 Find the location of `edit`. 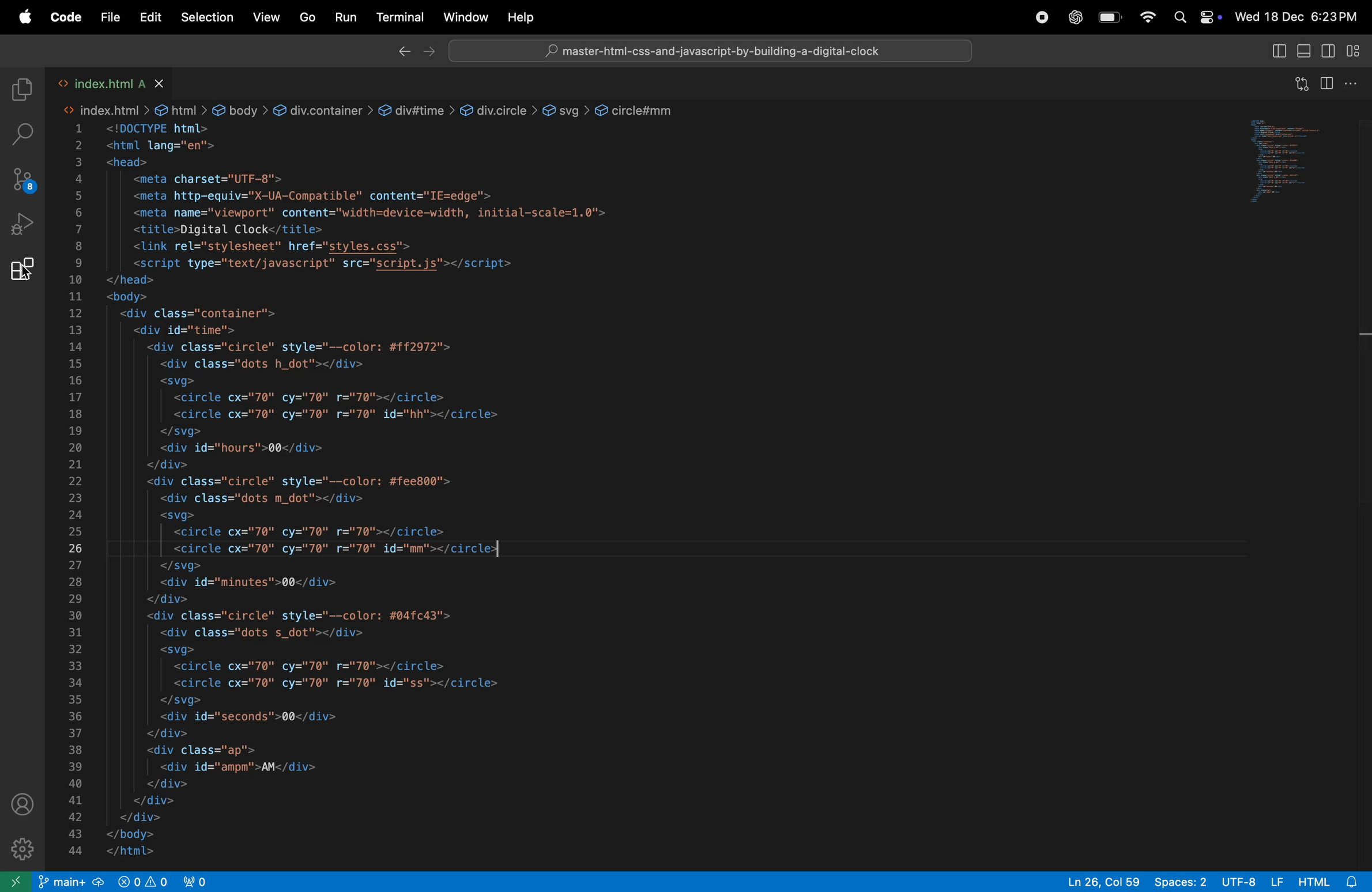

edit is located at coordinates (150, 17).